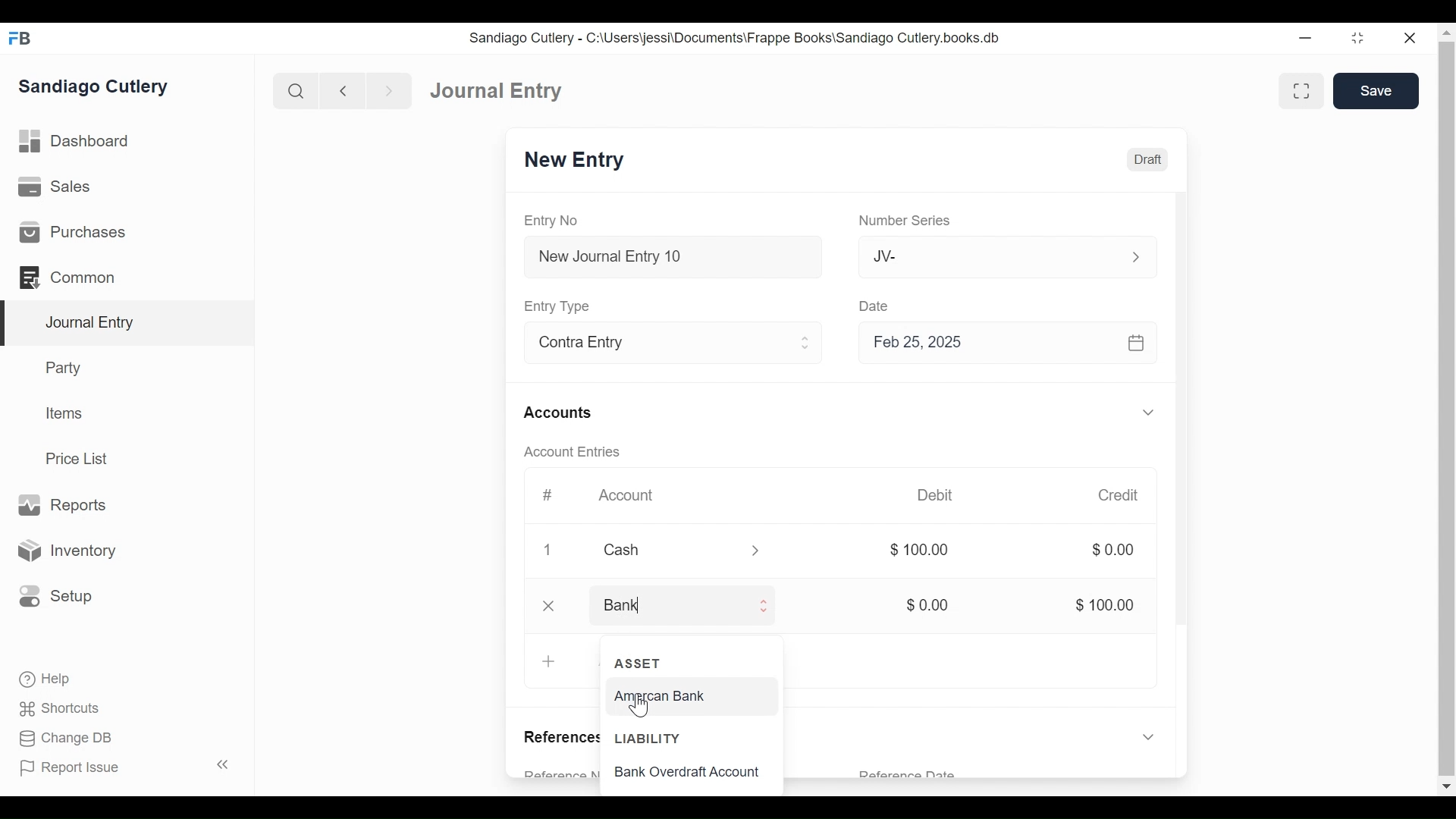  What do you see at coordinates (767, 605) in the screenshot?
I see `Expand` at bounding box center [767, 605].